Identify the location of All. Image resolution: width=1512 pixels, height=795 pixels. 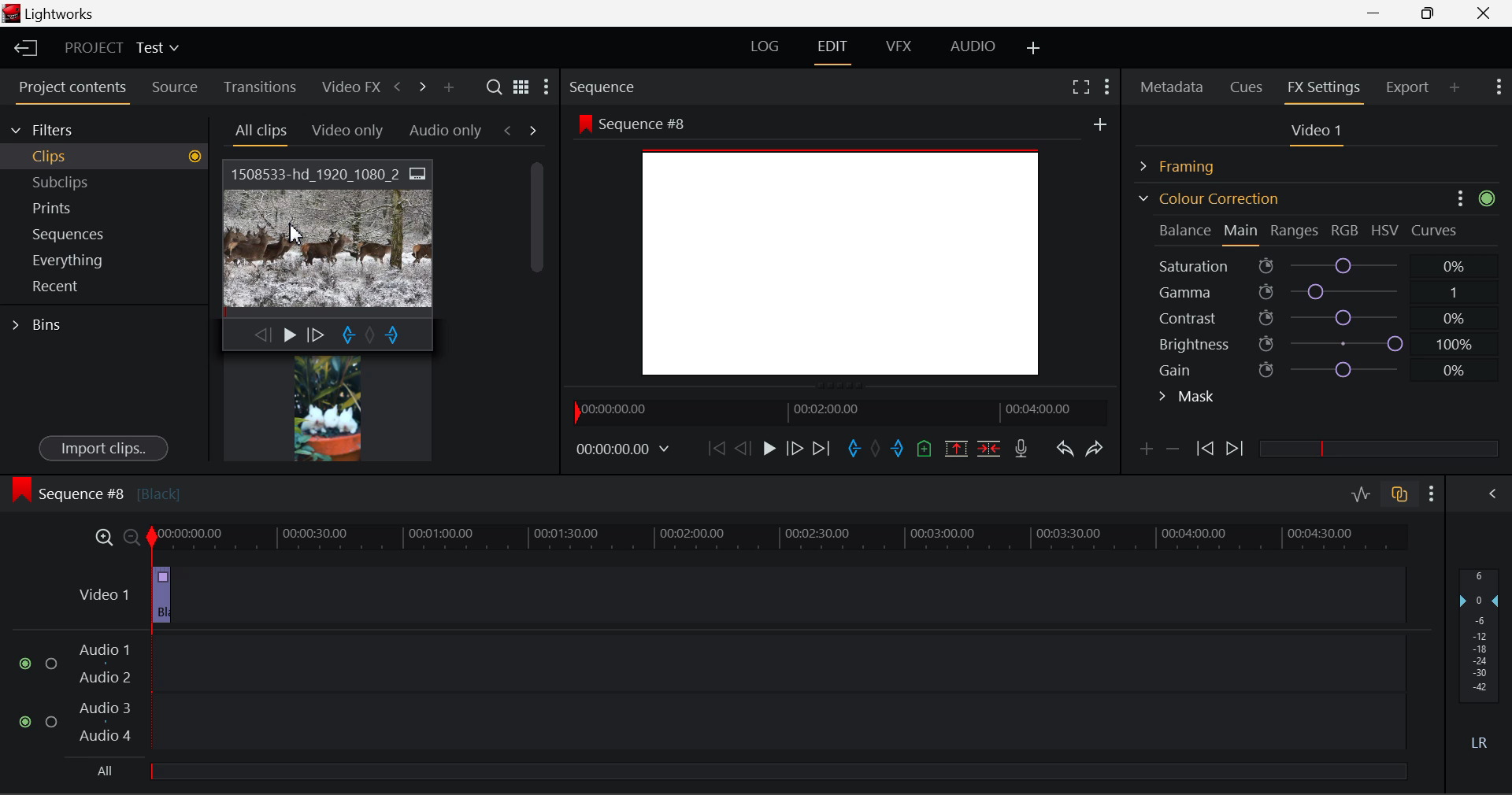
(96, 771).